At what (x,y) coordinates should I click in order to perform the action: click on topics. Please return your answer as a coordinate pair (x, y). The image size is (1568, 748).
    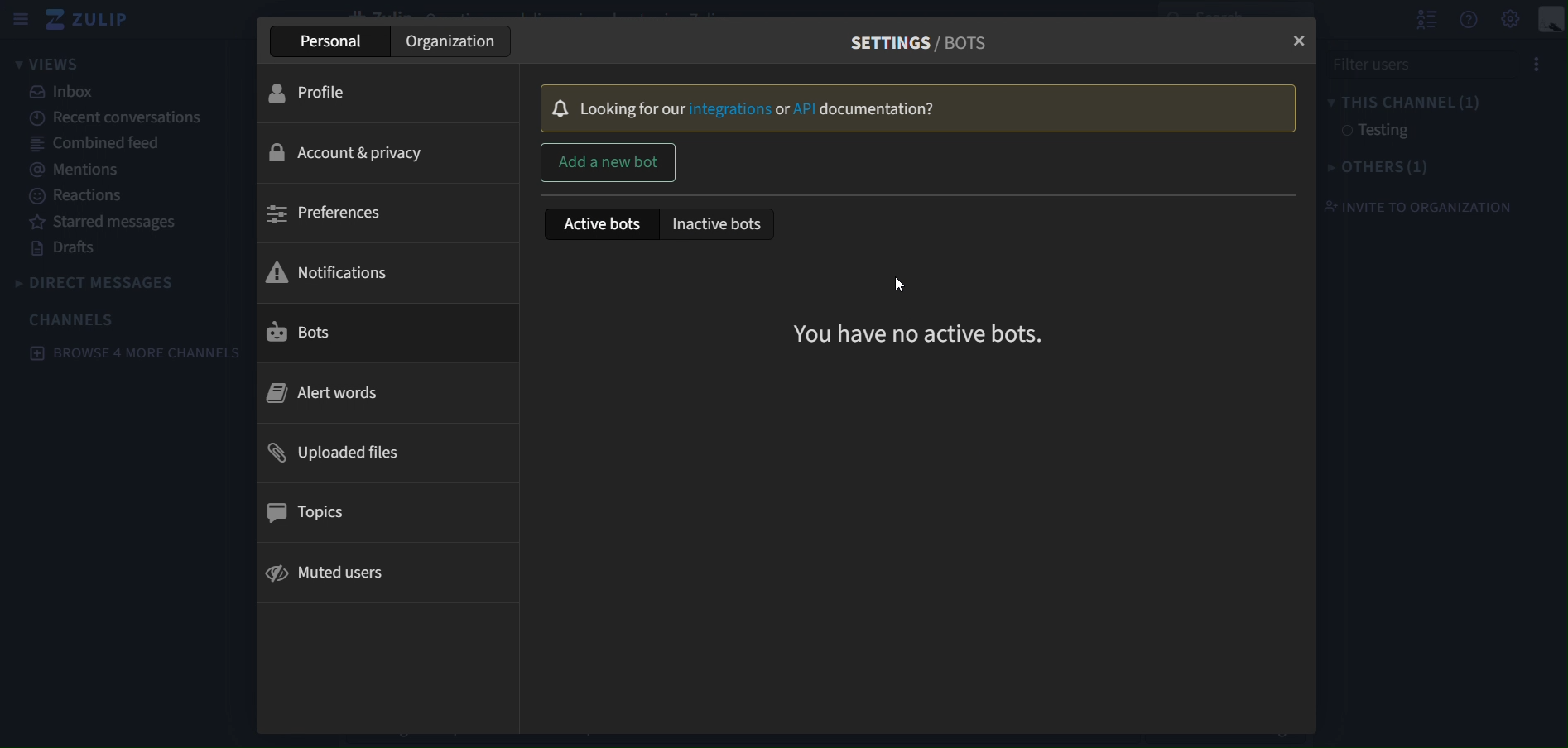
    Looking at the image, I should click on (320, 514).